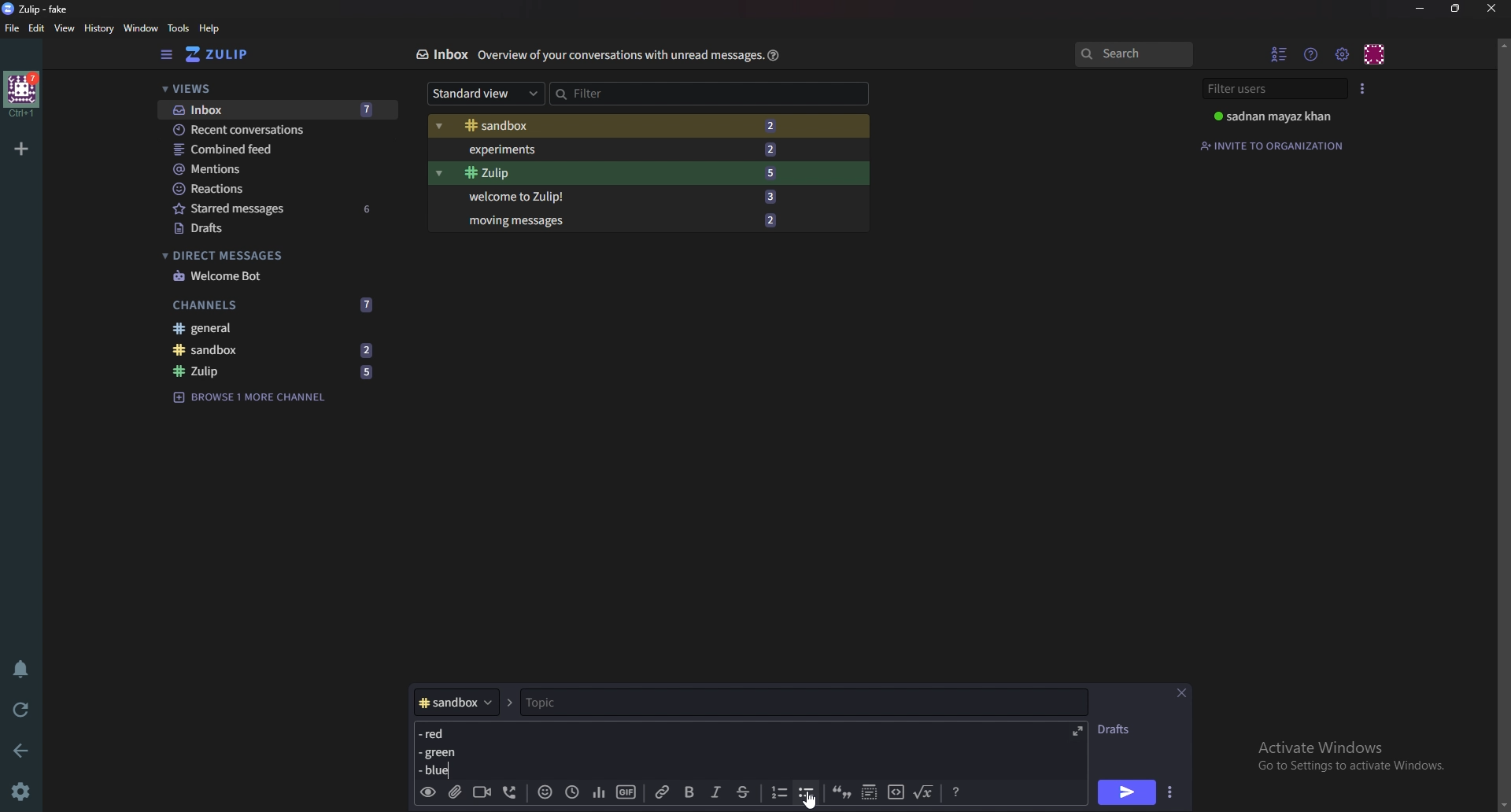 This screenshot has height=812, width=1511. What do you see at coordinates (454, 792) in the screenshot?
I see `add file` at bounding box center [454, 792].